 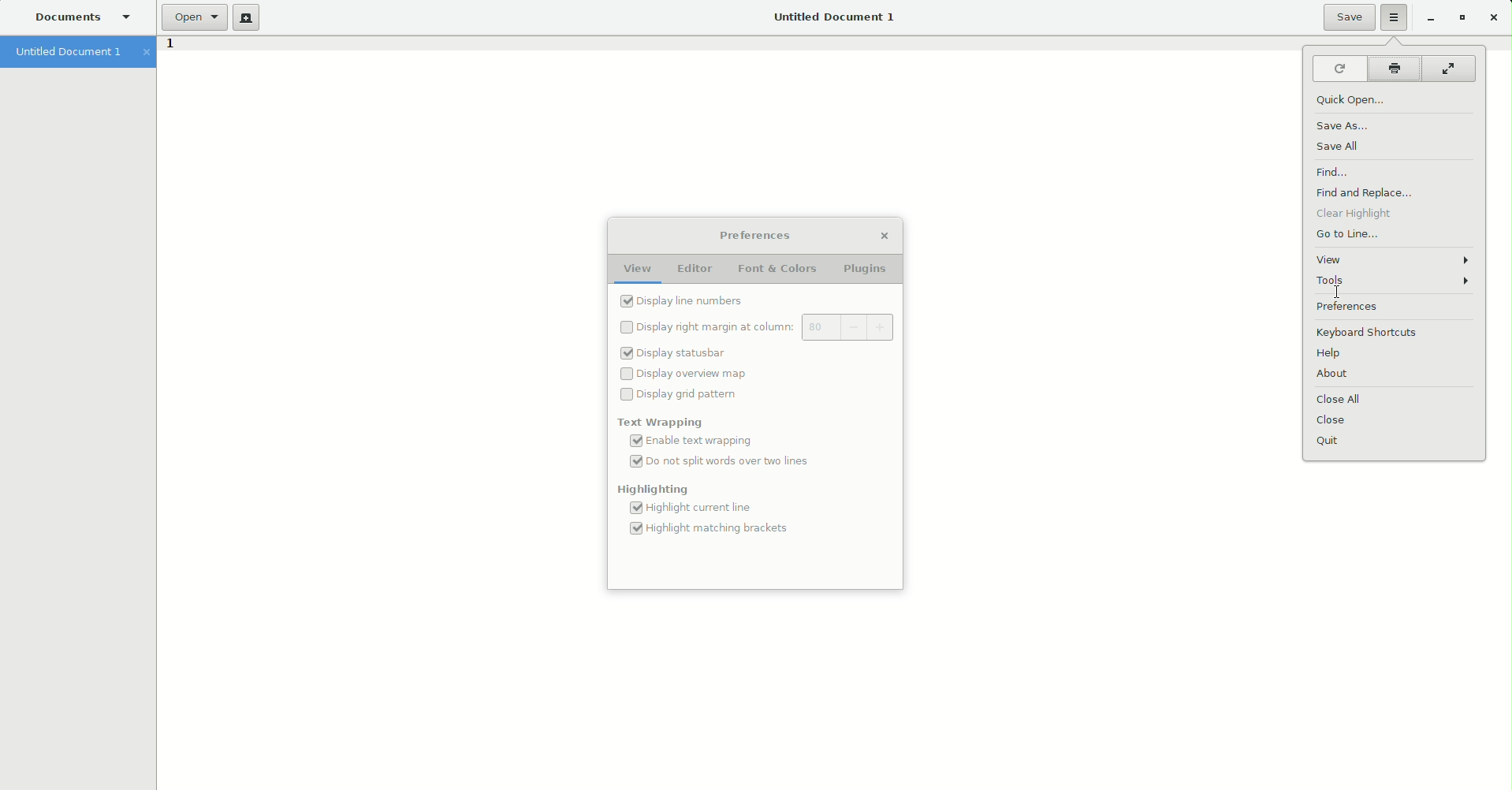 What do you see at coordinates (685, 301) in the screenshot?
I see `Line numbers` at bounding box center [685, 301].